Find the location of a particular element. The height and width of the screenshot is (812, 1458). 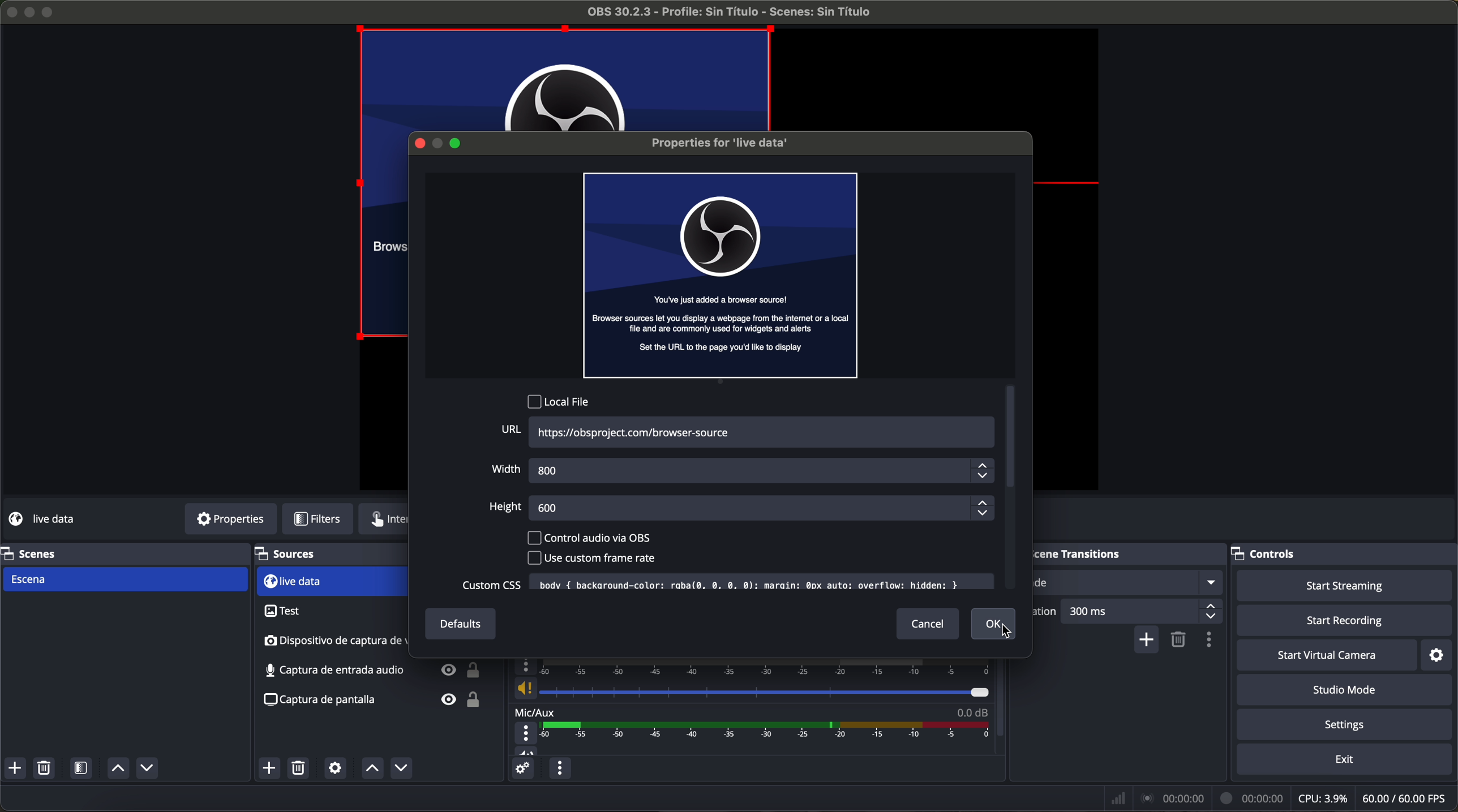

timeline is located at coordinates (766, 667).